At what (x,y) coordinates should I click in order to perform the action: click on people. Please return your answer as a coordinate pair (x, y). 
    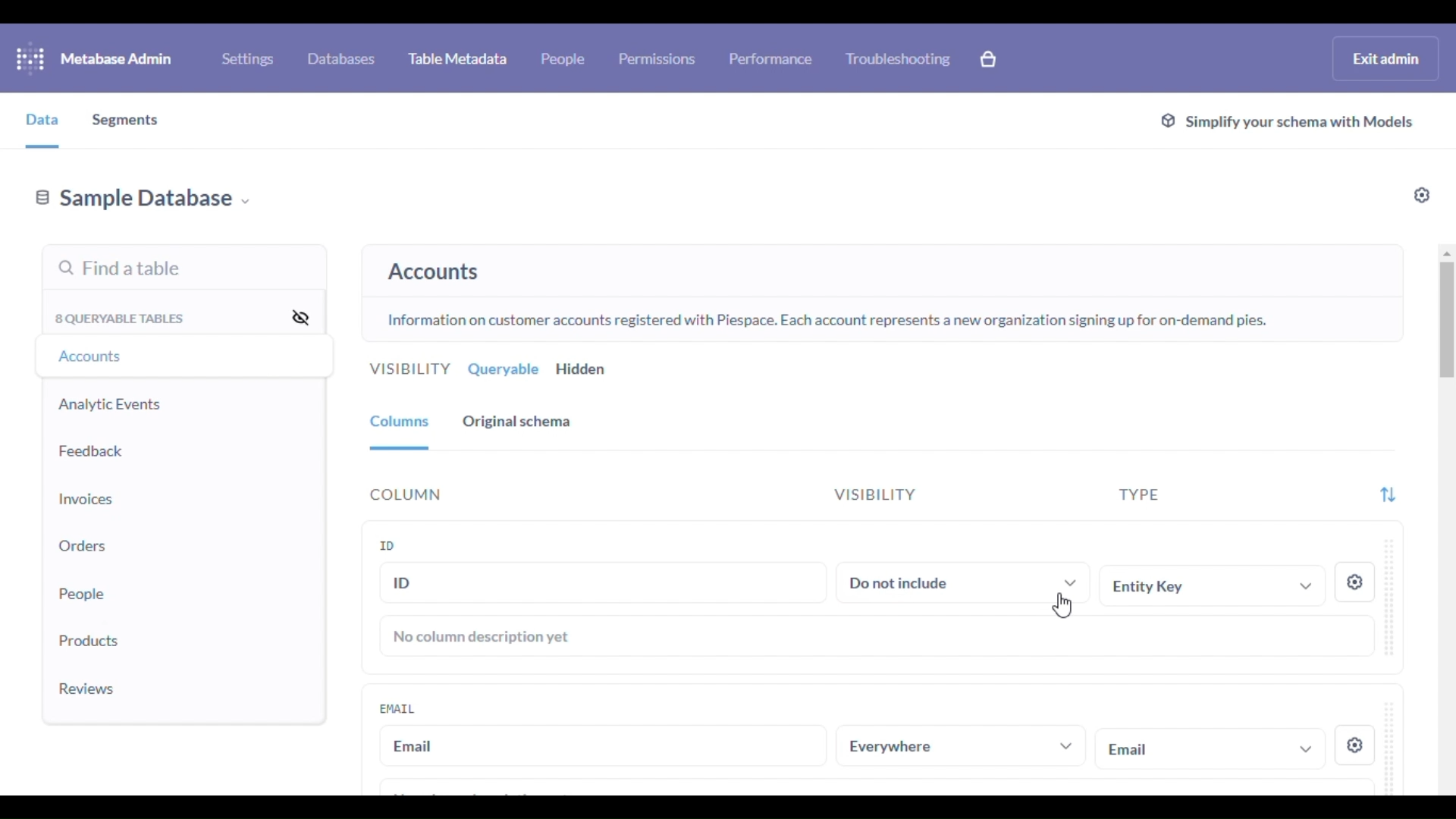
    Looking at the image, I should click on (83, 592).